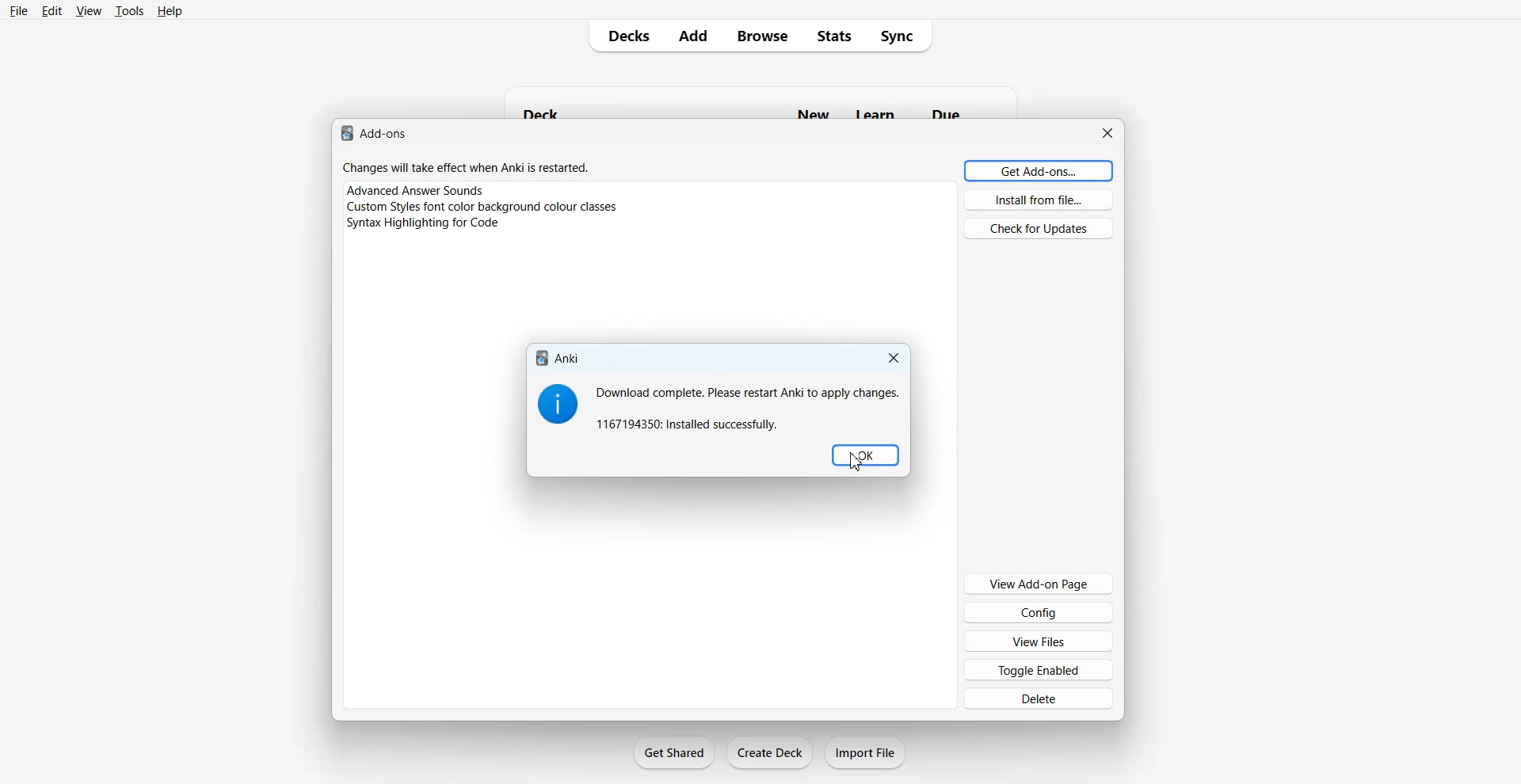  I want to click on Syntax Highlighting for Code, so click(424, 222).